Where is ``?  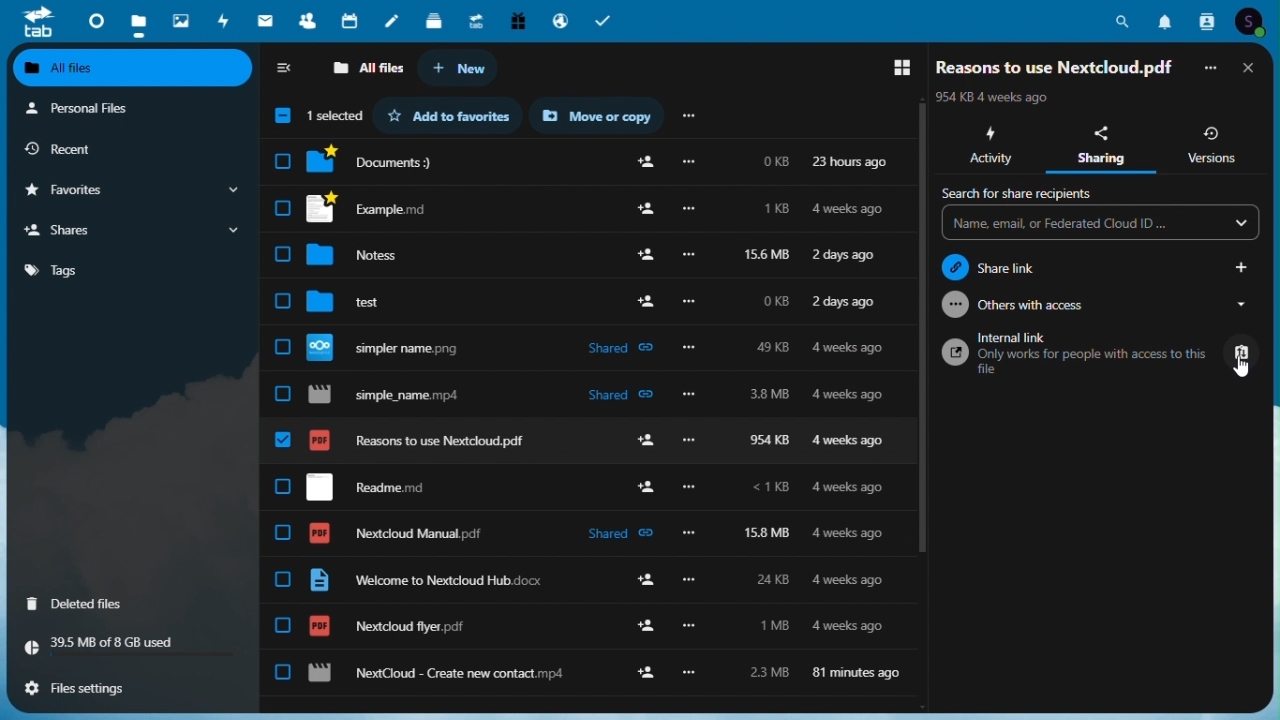  is located at coordinates (692, 485).